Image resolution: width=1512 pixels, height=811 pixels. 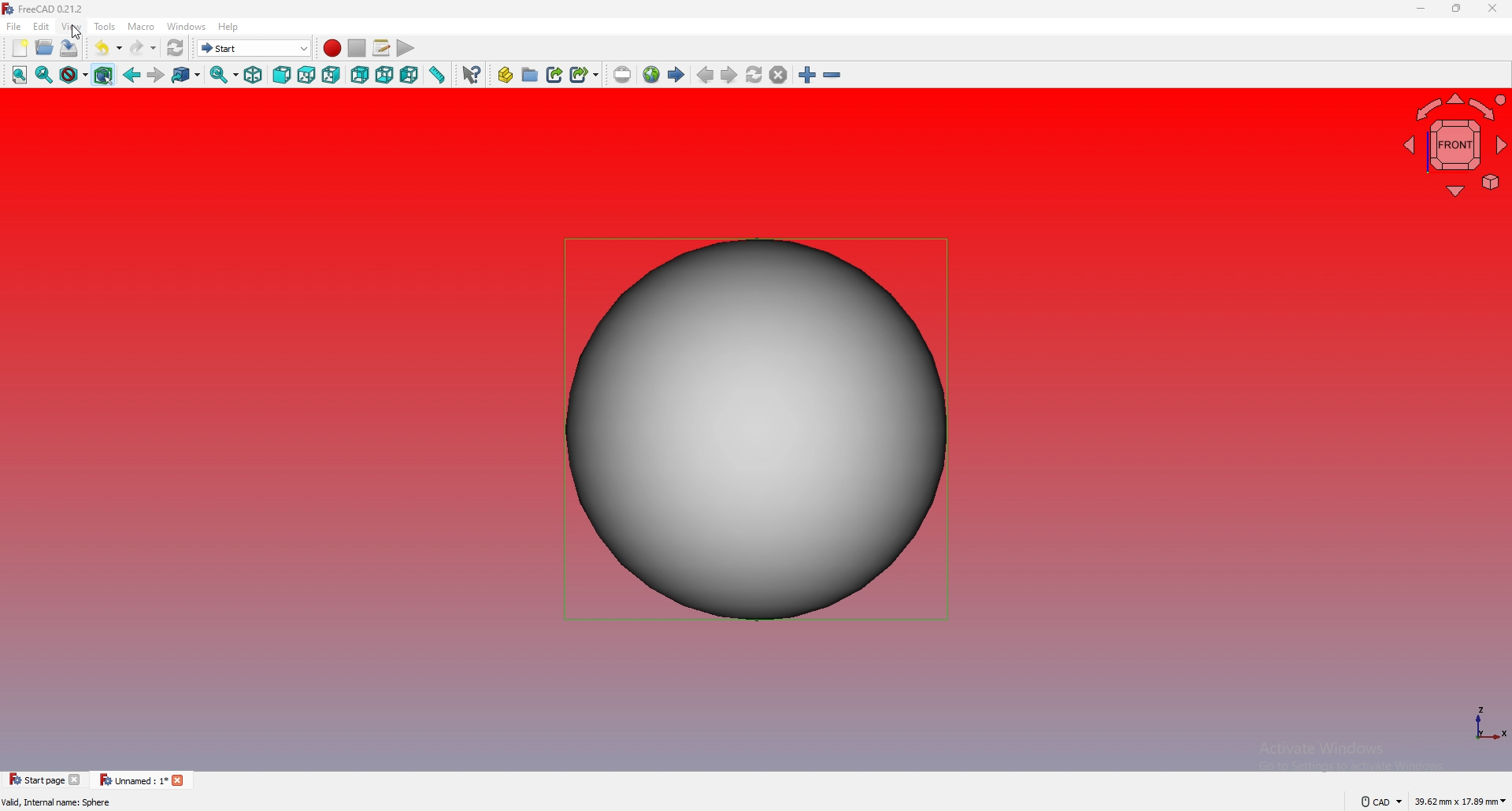 What do you see at coordinates (1489, 724) in the screenshot?
I see `axis` at bounding box center [1489, 724].